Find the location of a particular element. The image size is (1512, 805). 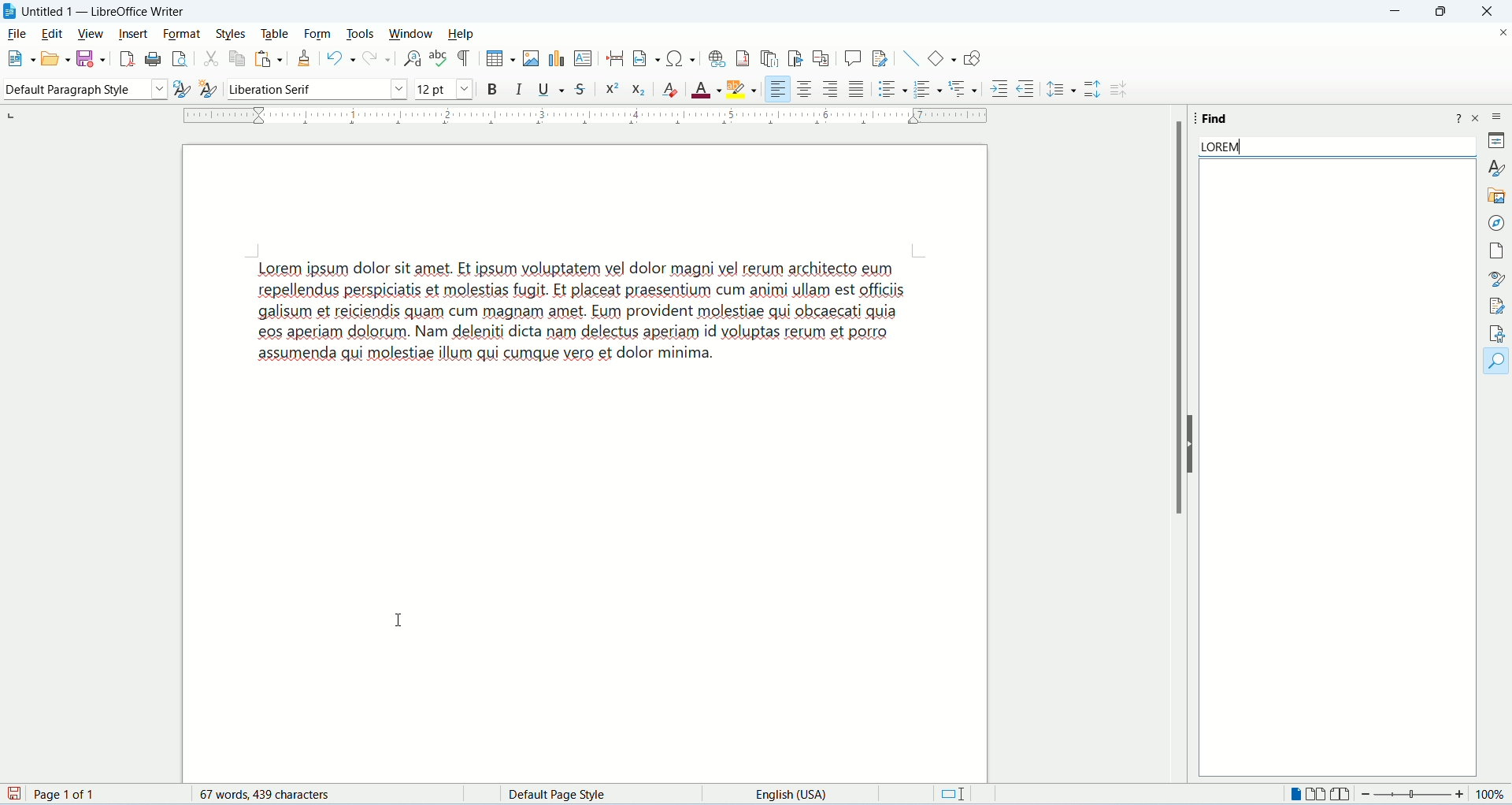

underline is located at coordinates (550, 90).